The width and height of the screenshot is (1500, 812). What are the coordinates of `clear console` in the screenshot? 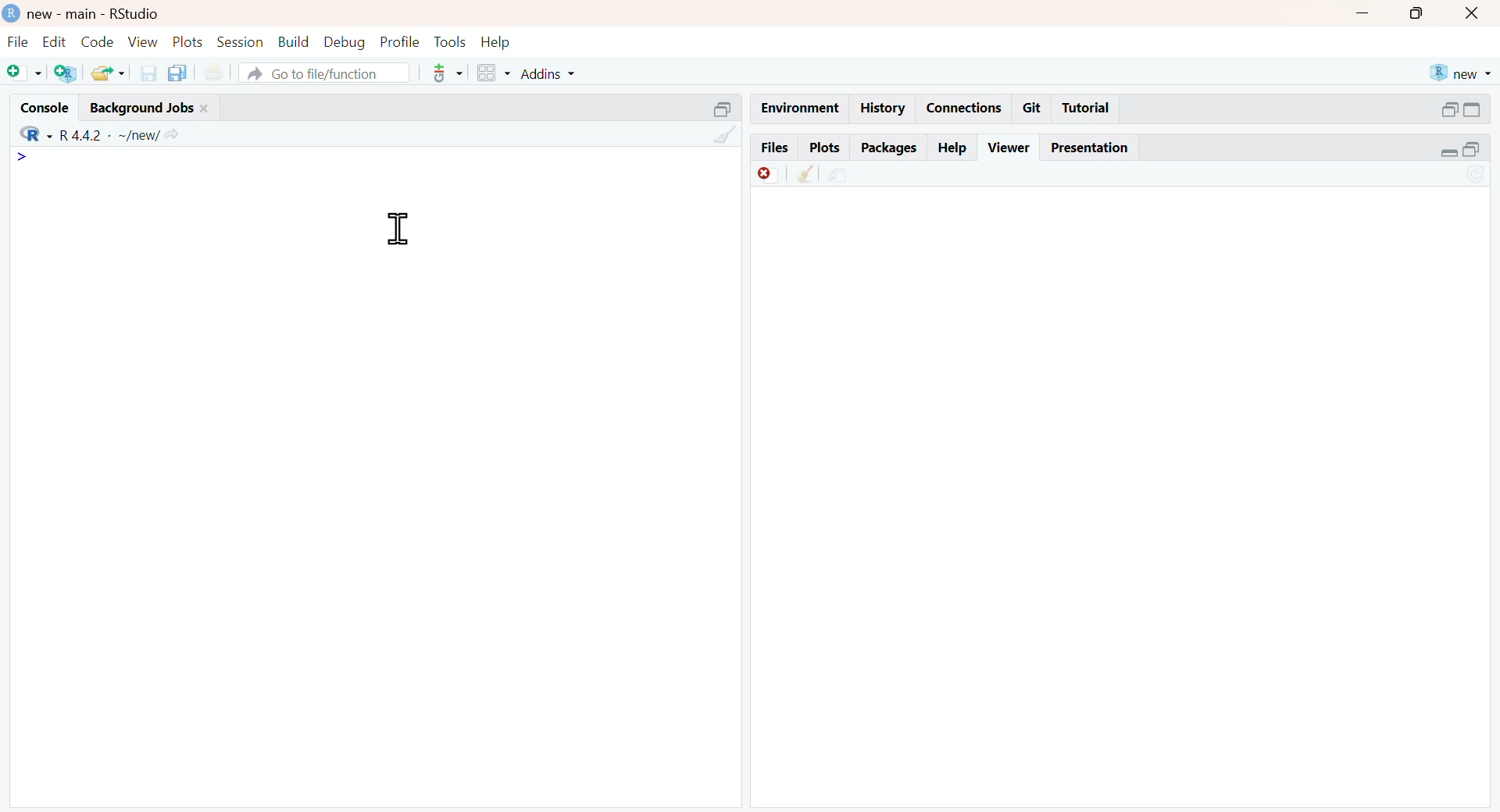 It's located at (716, 136).